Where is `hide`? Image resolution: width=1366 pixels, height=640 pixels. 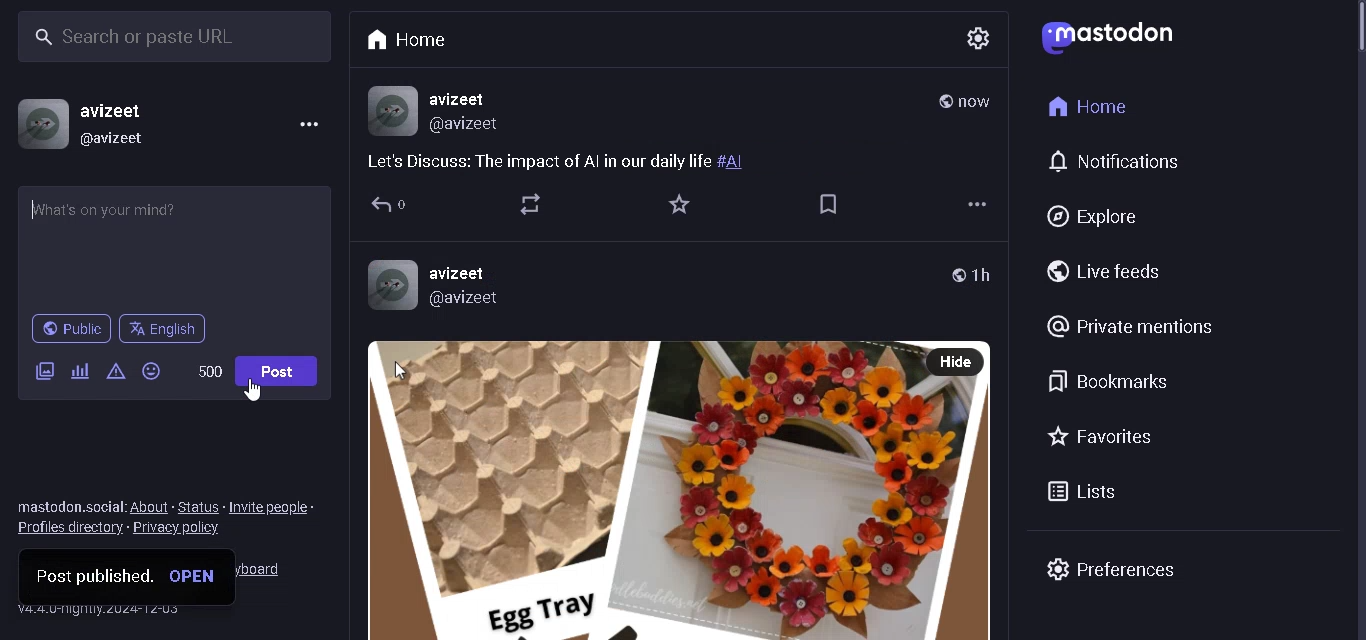
hide is located at coordinates (952, 363).